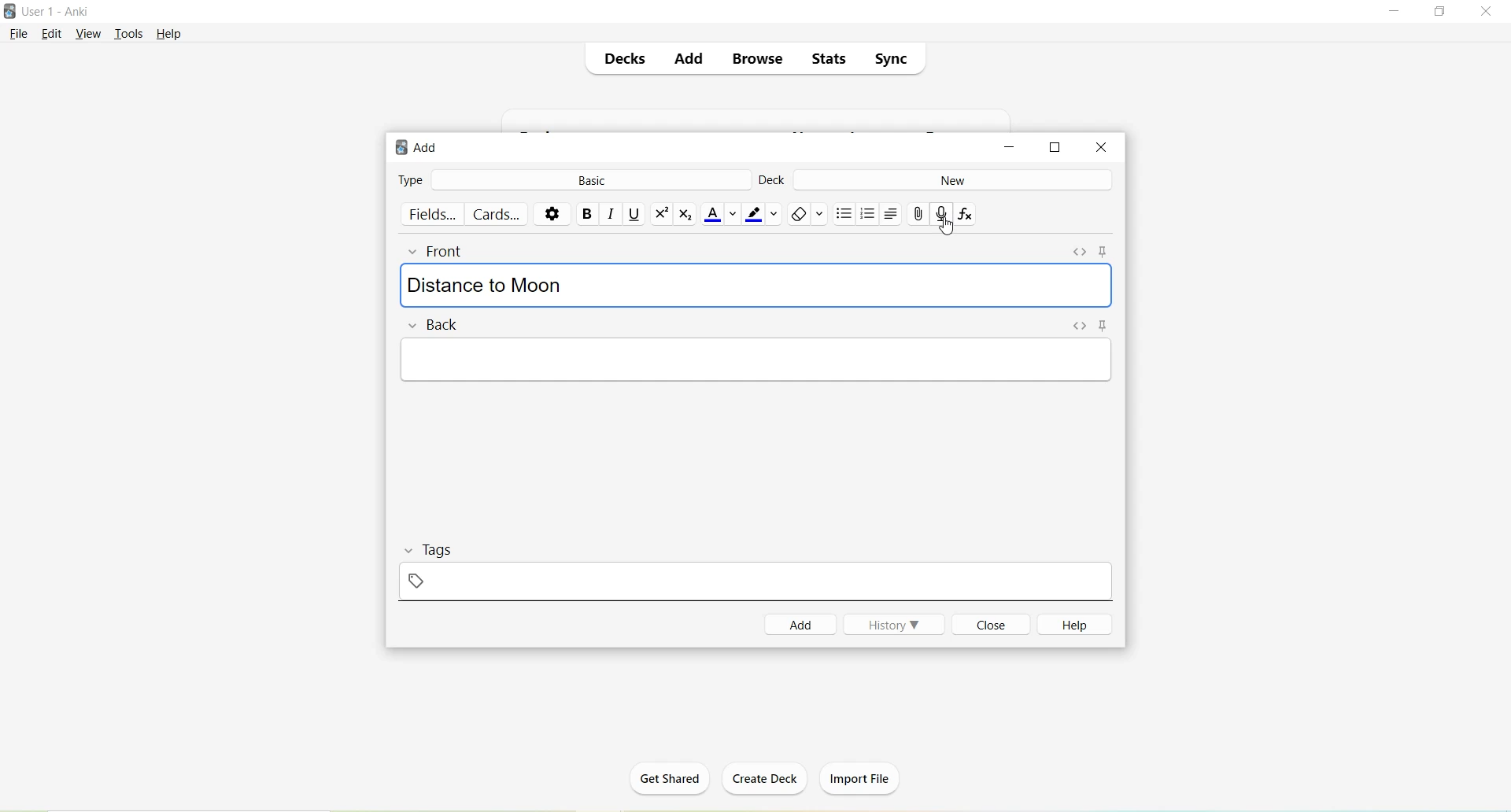 The image size is (1511, 812). Describe the element at coordinates (948, 227) in the screenshot. I see `cursor` at that location.